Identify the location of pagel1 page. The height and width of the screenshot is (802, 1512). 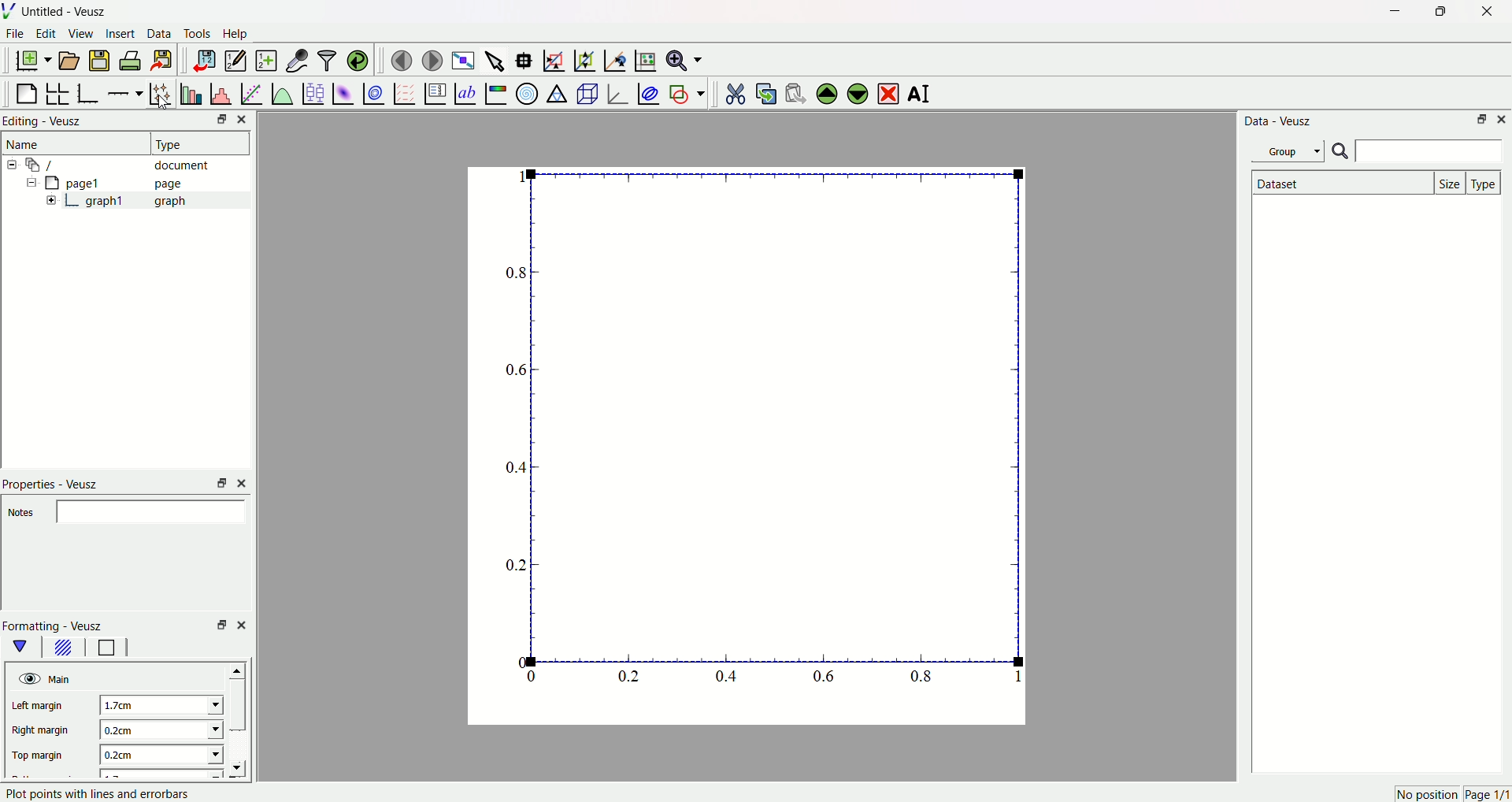
(126, 183).